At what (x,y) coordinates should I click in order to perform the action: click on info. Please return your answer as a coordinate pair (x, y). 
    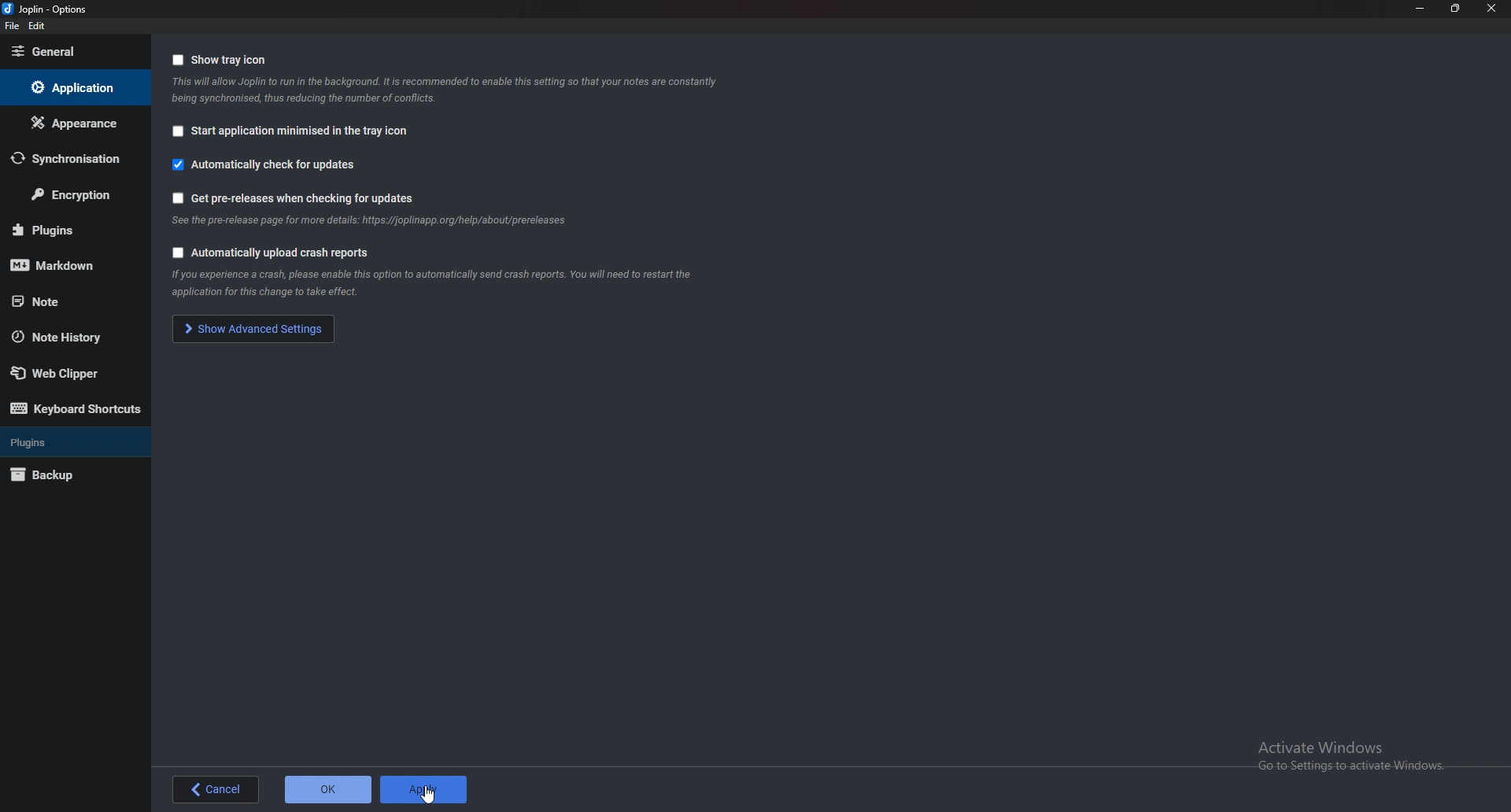
    Looking at the image, I should click on (374, 222).